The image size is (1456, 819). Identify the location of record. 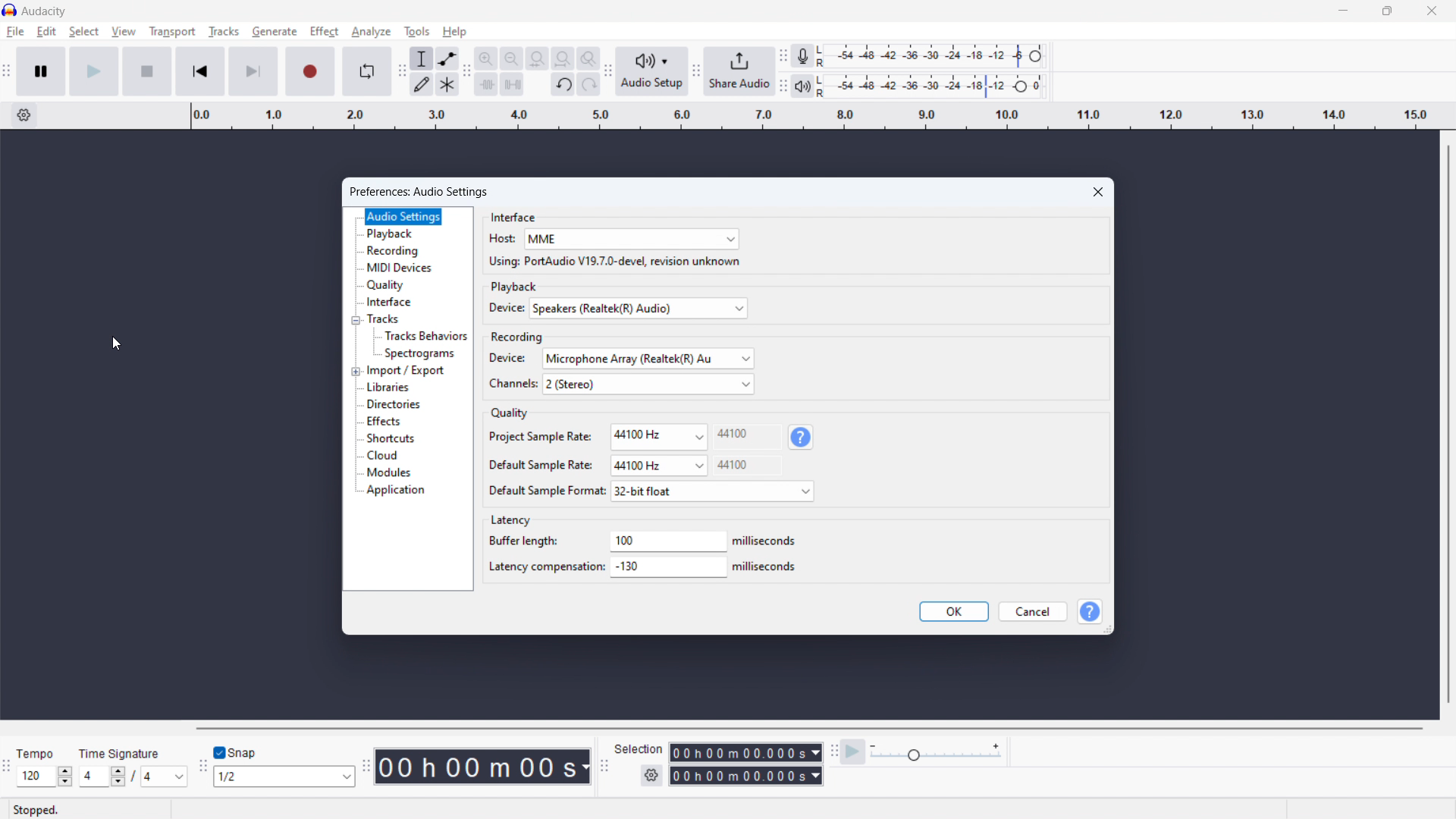
(310, 71).